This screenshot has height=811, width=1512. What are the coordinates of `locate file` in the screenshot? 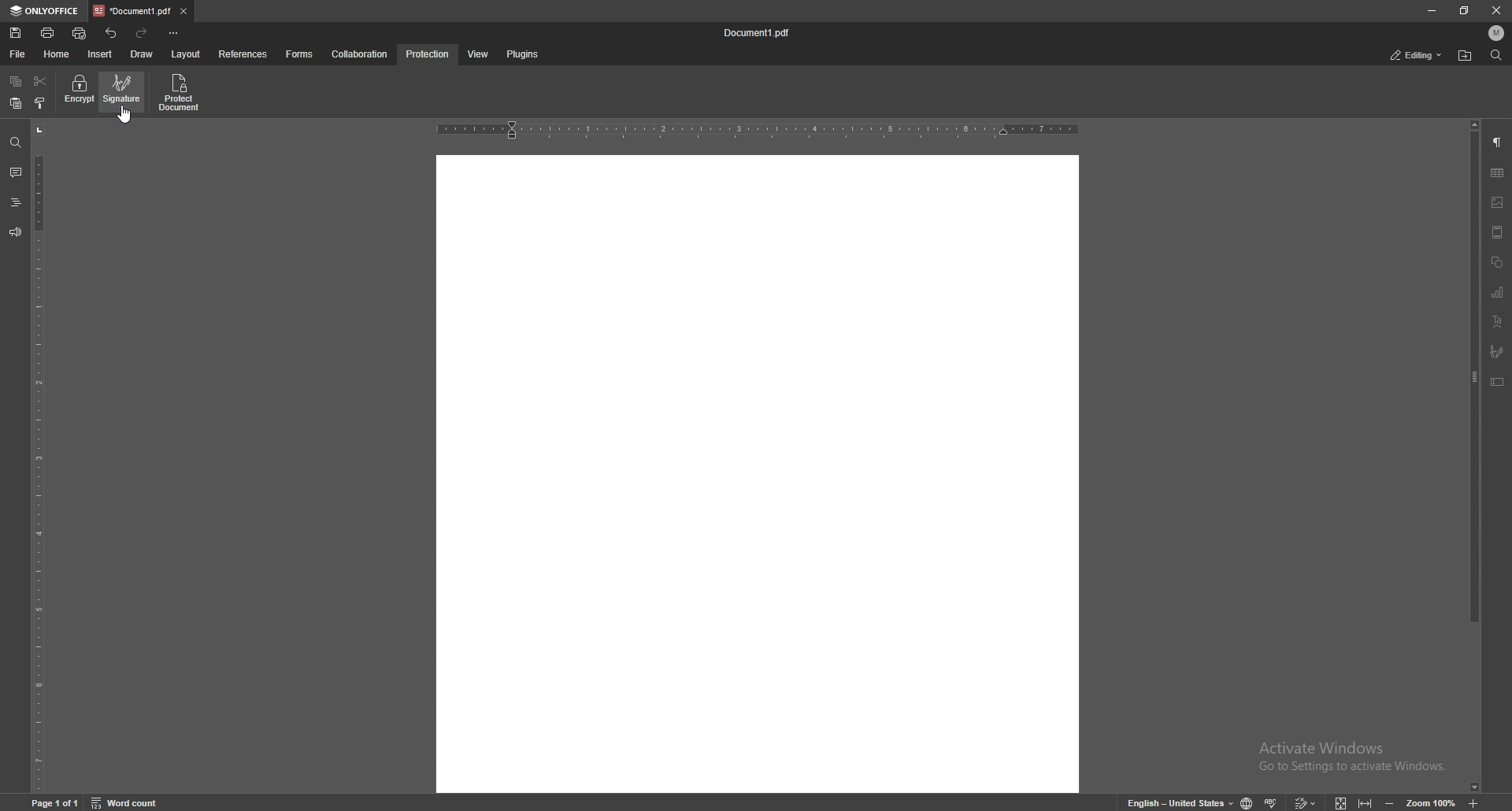 It's located at (1465, 57).